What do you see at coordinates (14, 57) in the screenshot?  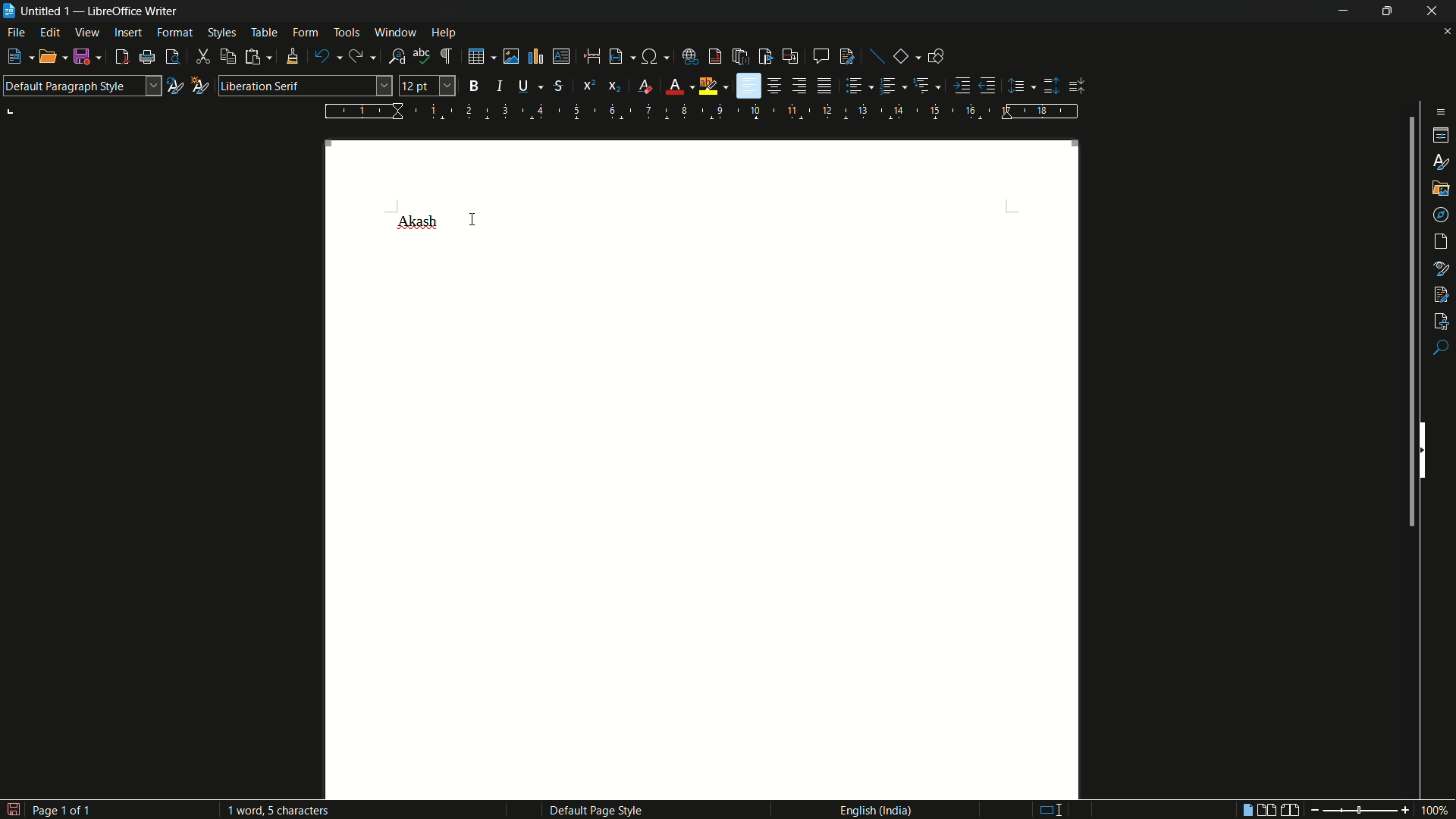 I see `new file` at bounding box center [14, 57].